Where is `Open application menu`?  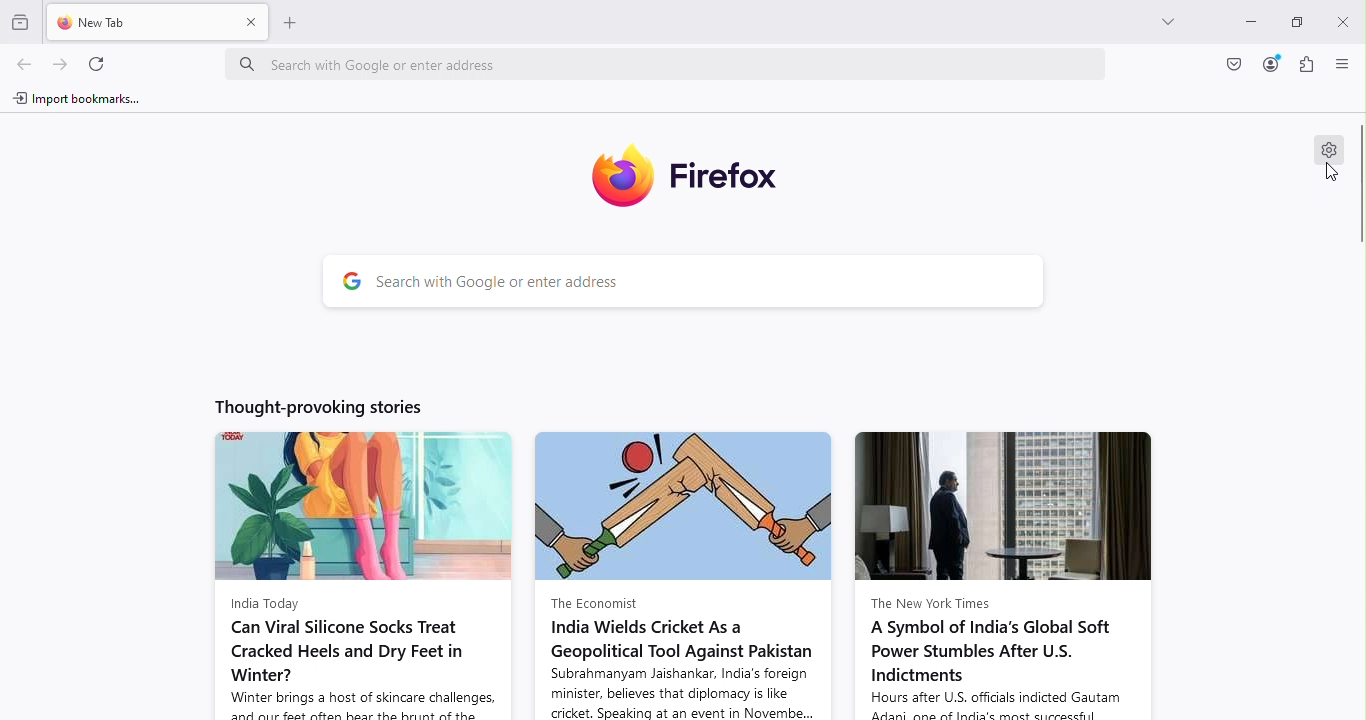 Open application menu is located at coordinates (1344, 65).